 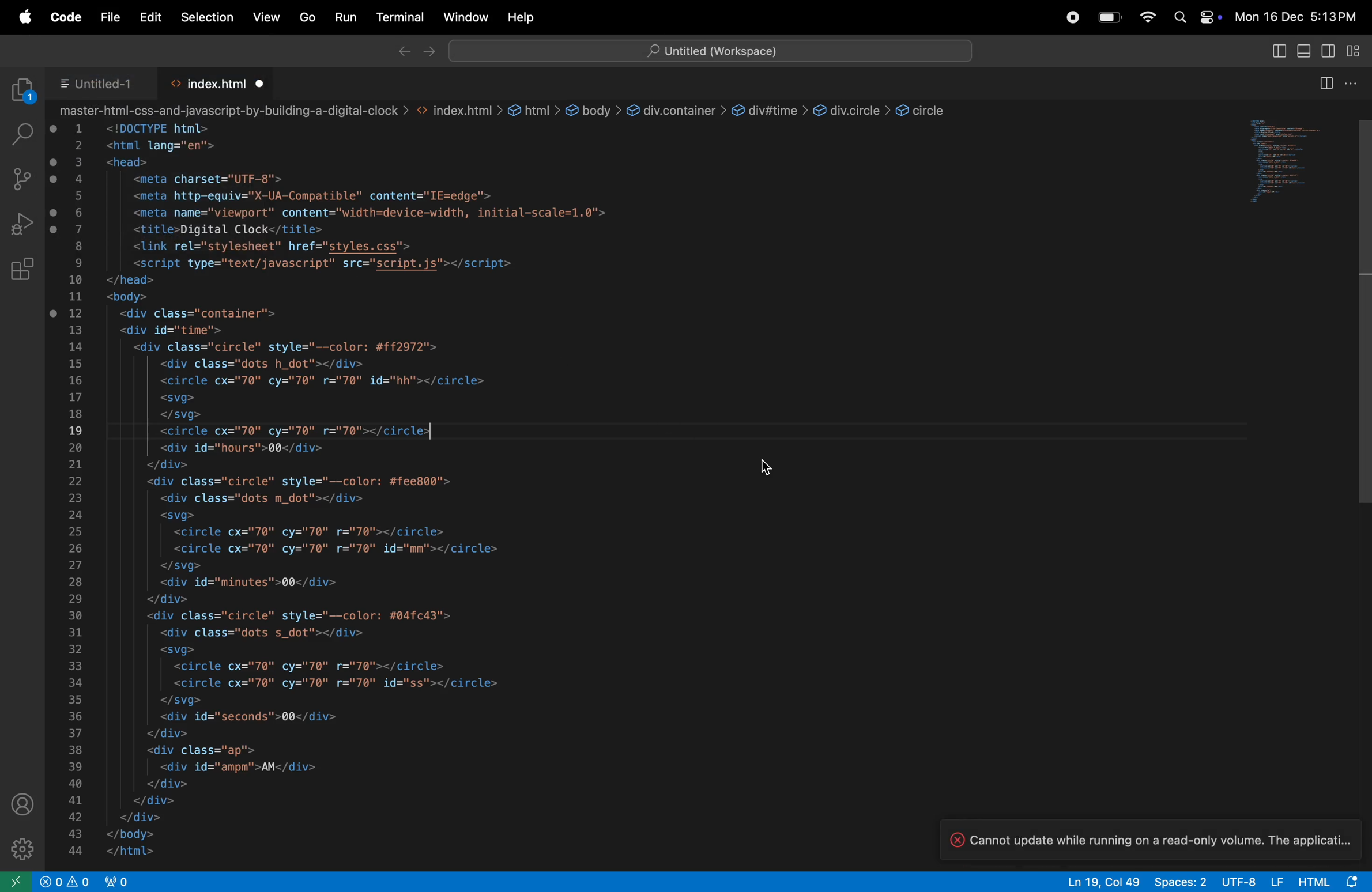 I want to click on <script type="text/javascript" src="script.js"></script>, so click(x=339, y=264).